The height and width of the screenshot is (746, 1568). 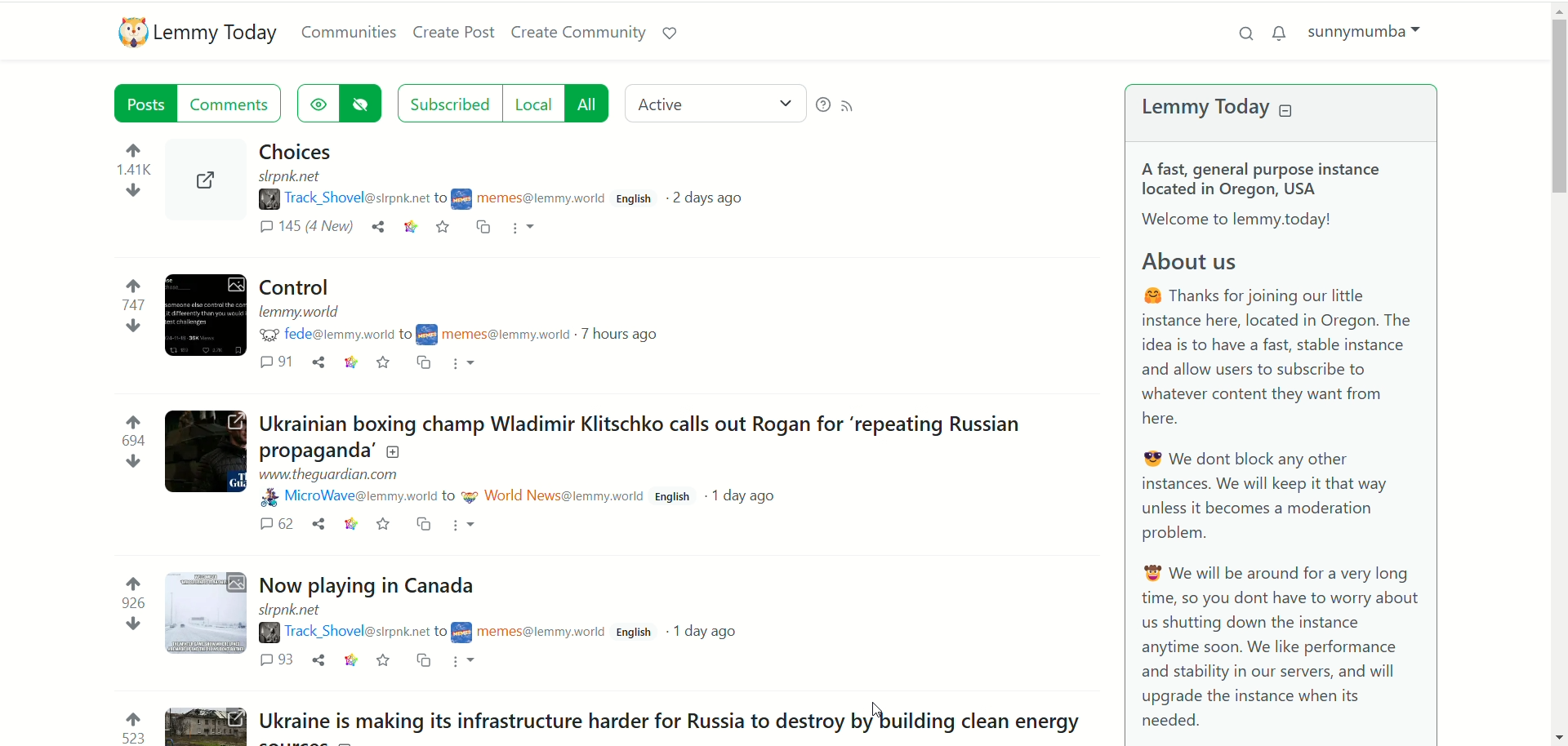 What do you see at coordinates (586, 104) in the screenshot?
I see `all` at bounding box center [586, 104].